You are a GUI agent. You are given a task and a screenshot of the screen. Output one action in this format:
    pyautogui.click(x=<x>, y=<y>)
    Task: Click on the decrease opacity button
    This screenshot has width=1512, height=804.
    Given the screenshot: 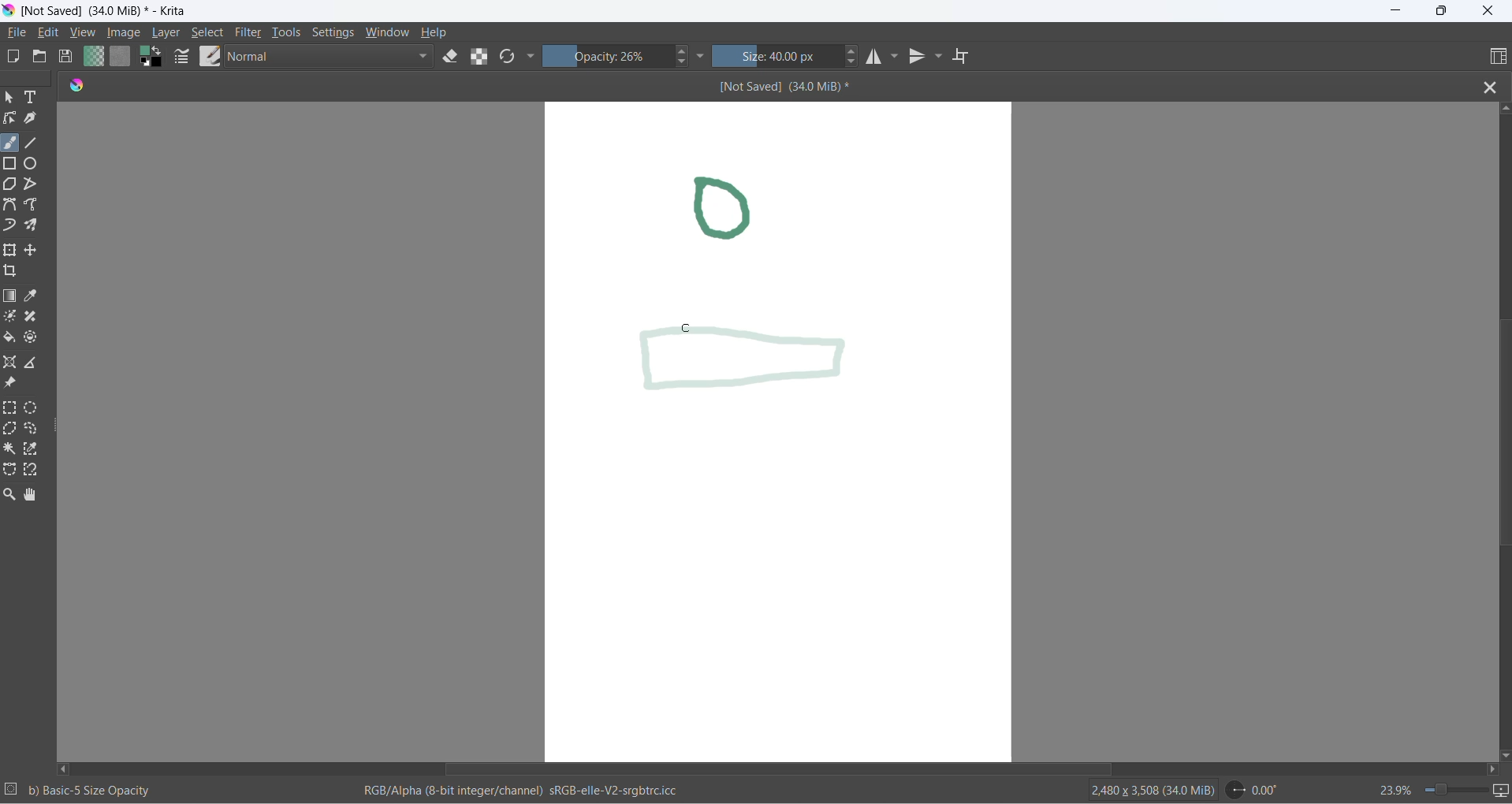 What is the action you would take?
    pyautogui.click(x=685, y=63)
    